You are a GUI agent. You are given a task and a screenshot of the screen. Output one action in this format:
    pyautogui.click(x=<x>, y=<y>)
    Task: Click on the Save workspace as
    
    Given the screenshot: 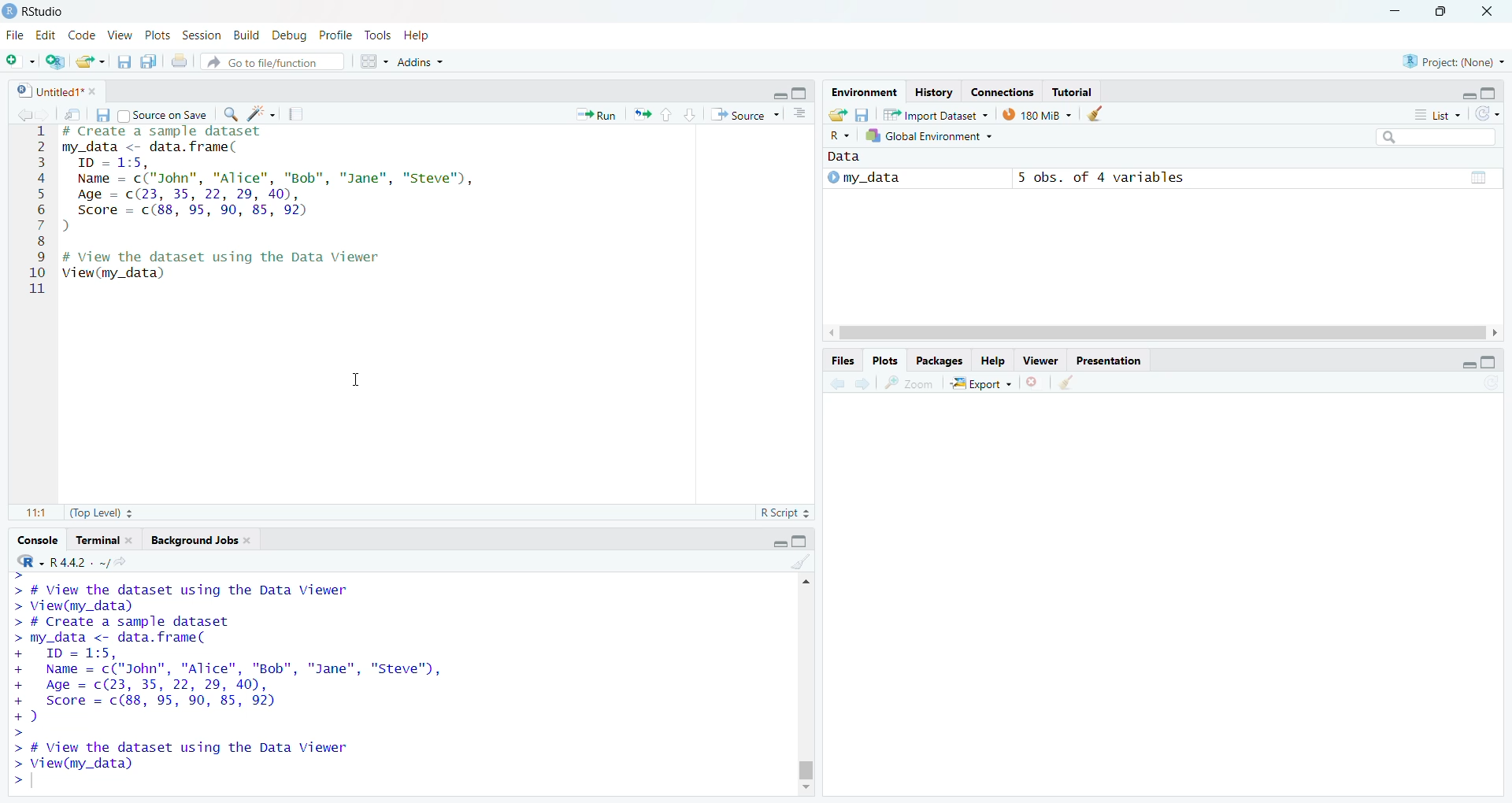 What is the action you would take?
    pyautogui.click(x=864, y=115)
    